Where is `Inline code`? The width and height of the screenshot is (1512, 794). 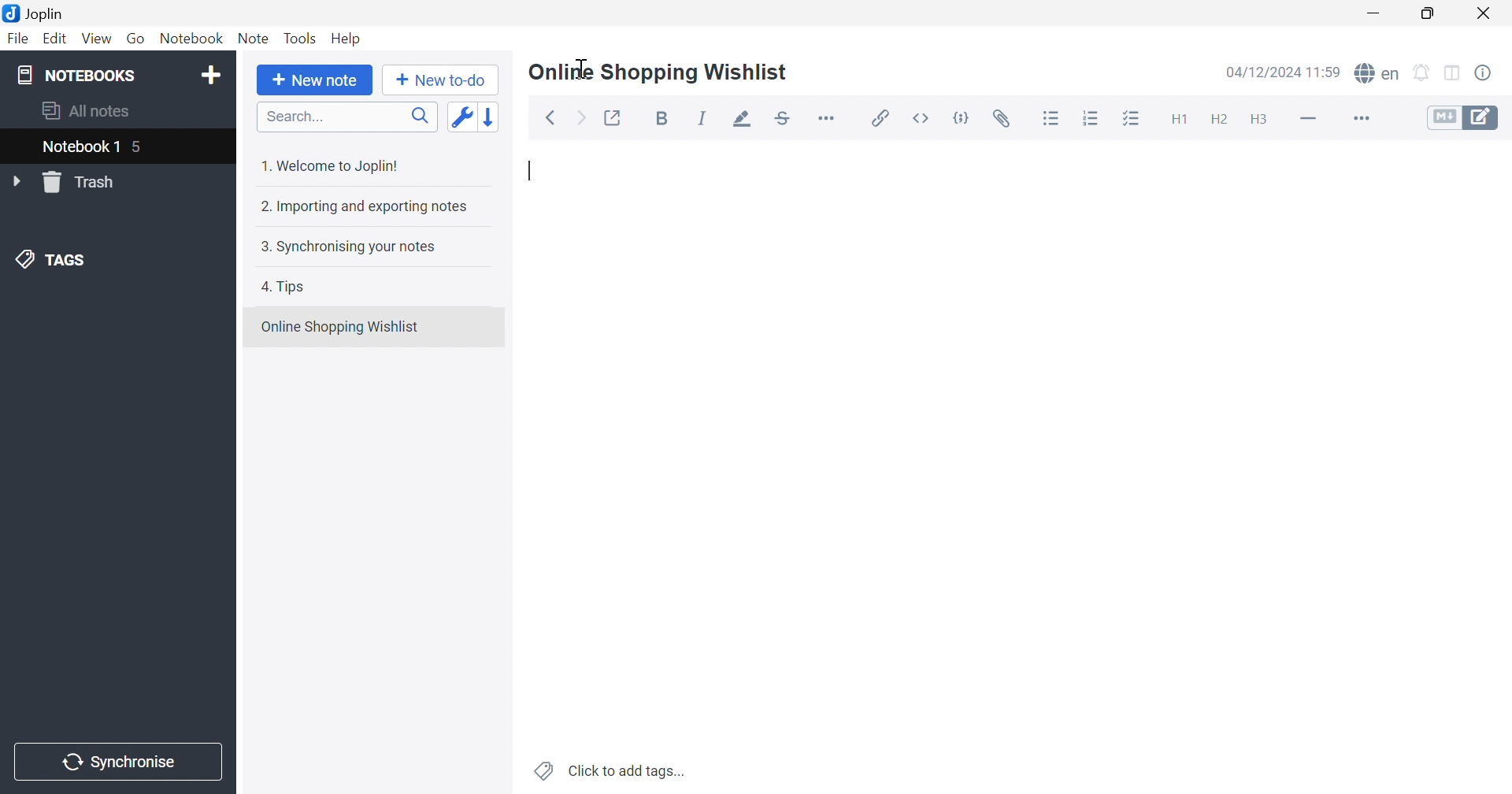
Inline code is located at coordinates (922, 117).